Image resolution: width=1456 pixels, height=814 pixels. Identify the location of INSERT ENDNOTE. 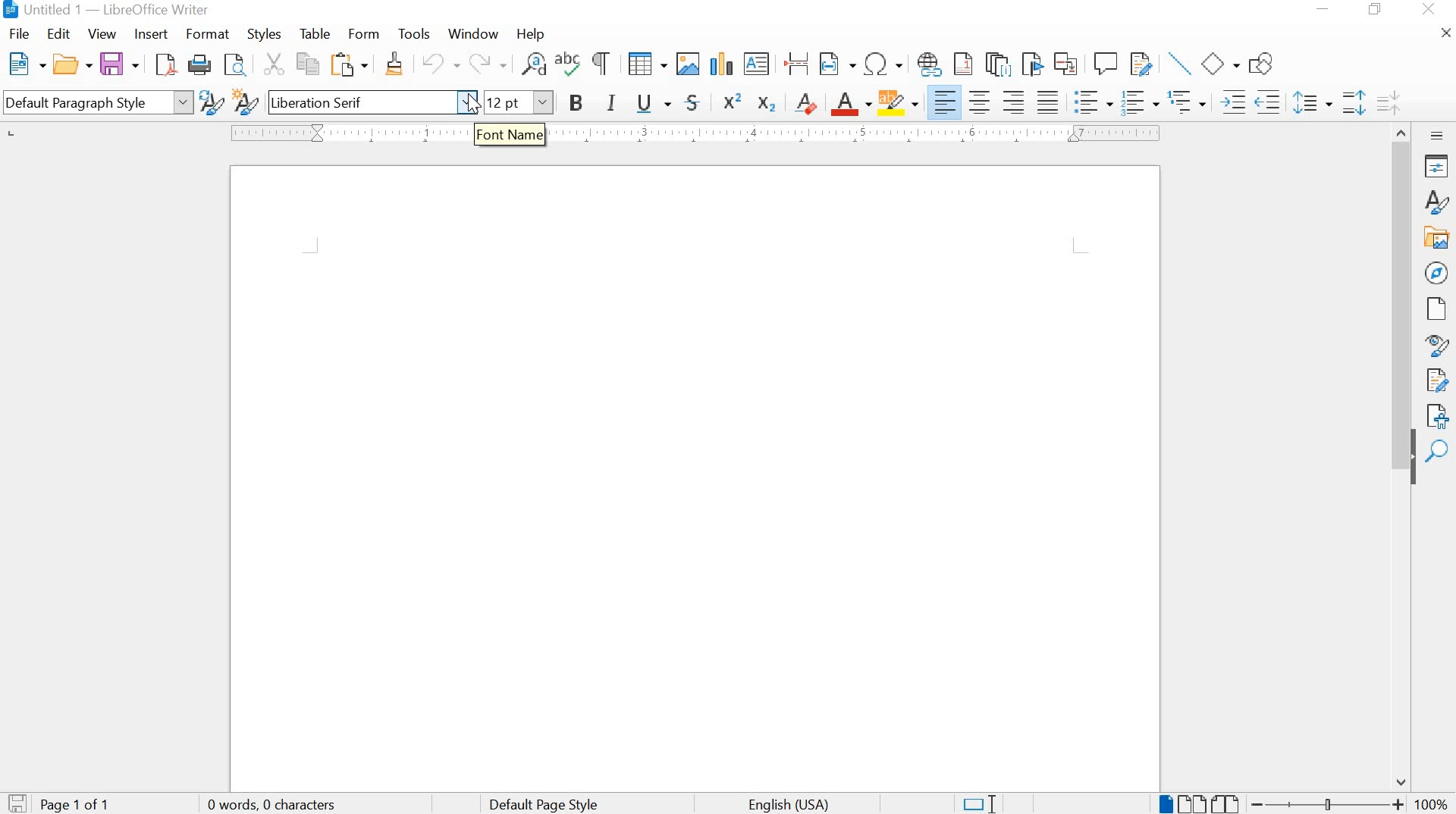
(996, 64).